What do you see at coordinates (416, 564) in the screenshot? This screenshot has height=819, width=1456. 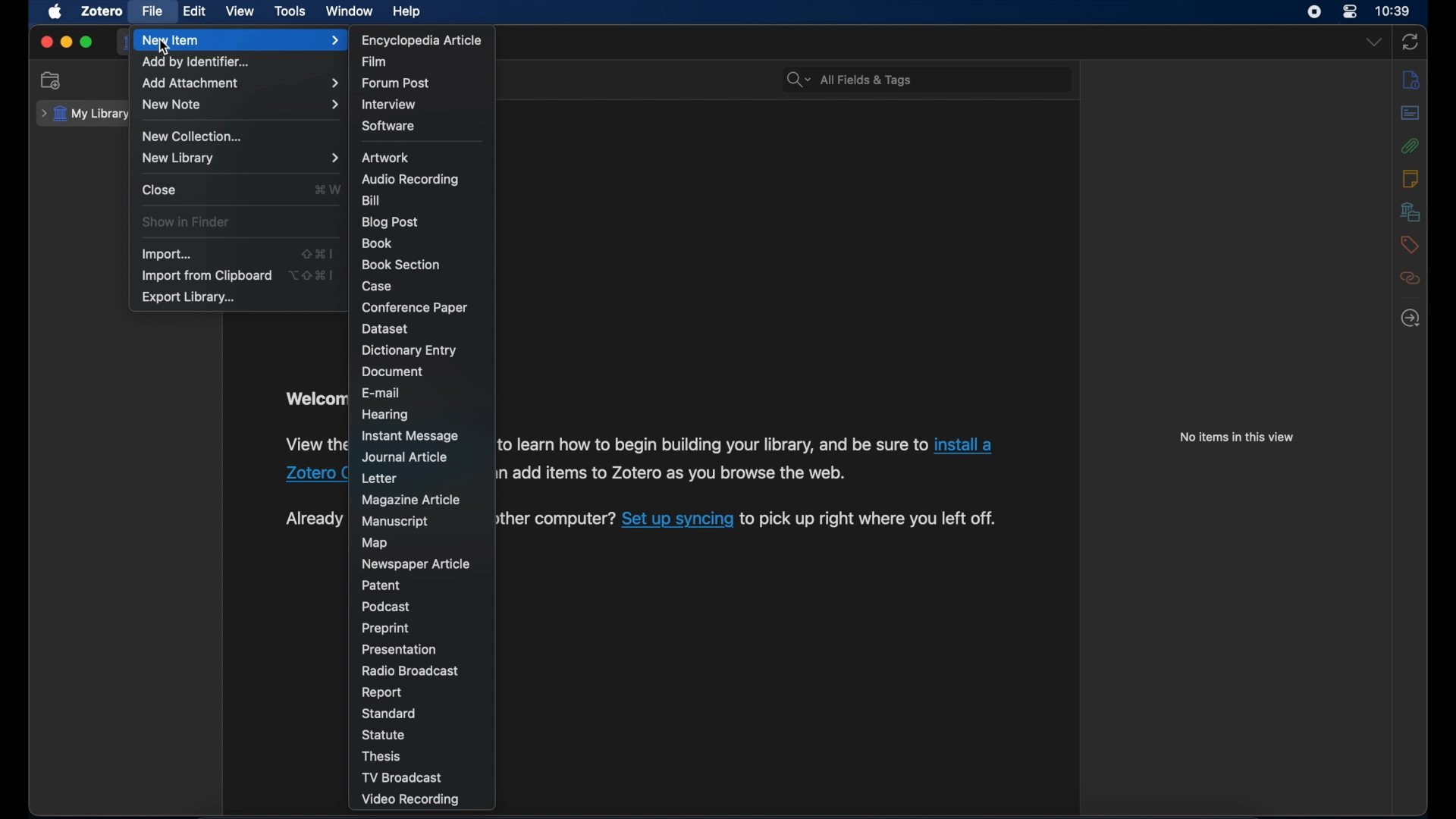 I see `newspaper article` at bounding box center [416, 564].